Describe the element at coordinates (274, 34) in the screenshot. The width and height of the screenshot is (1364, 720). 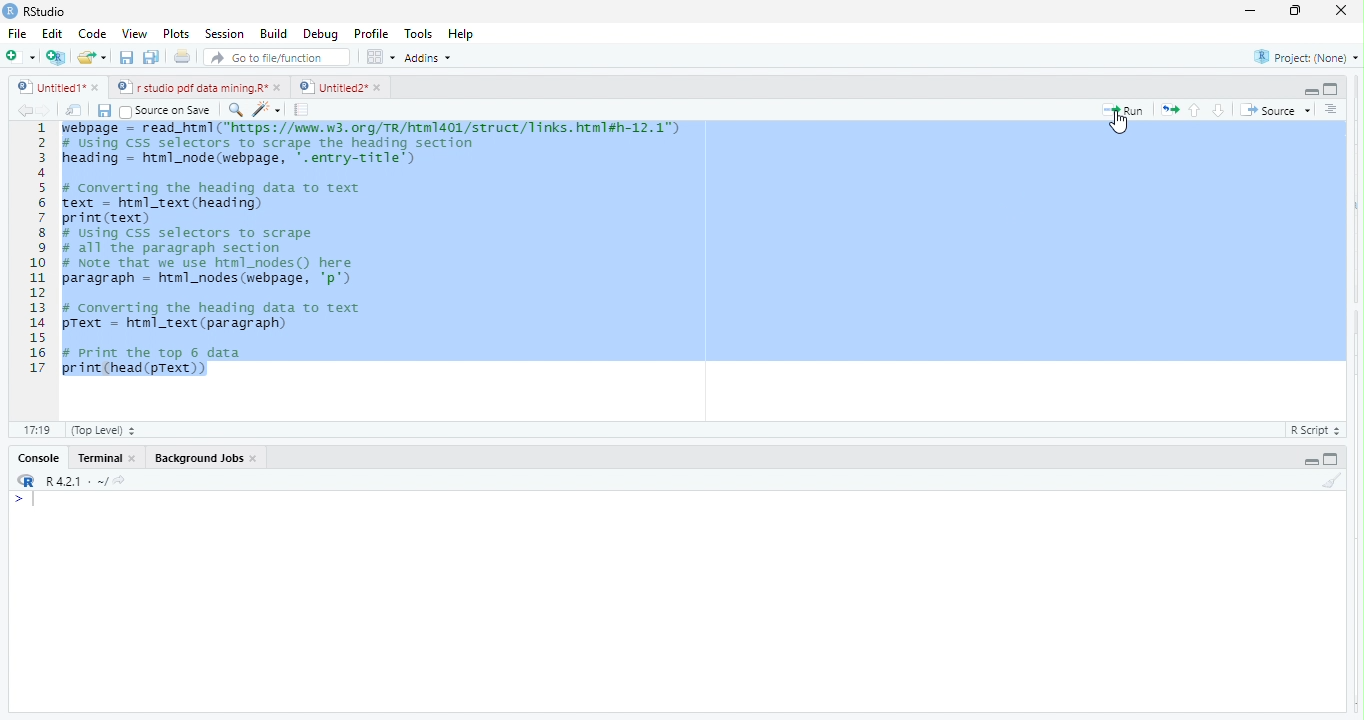
I see `Build` at that location.